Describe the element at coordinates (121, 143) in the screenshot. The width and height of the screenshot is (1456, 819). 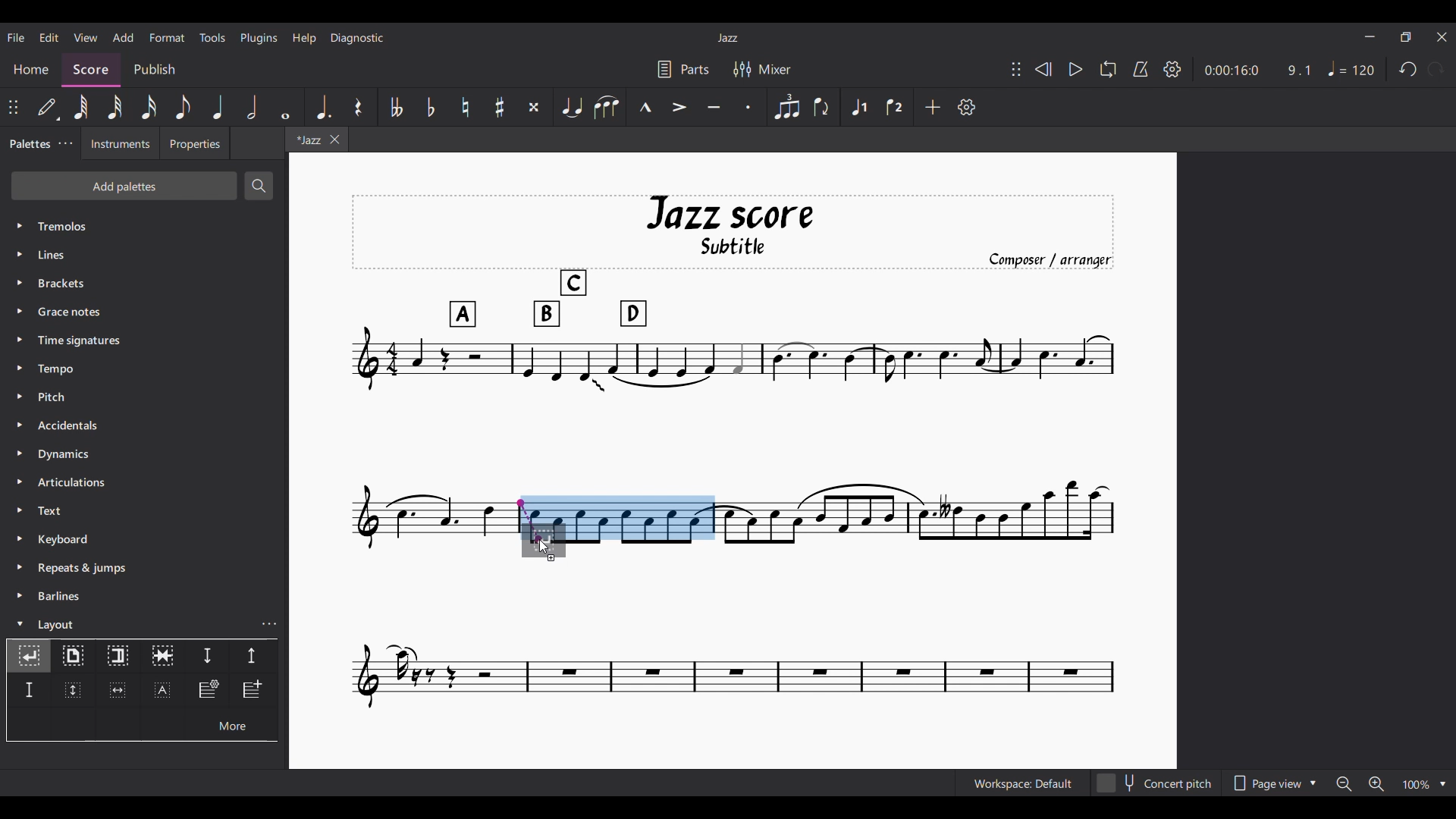
I see `Instruments` at that location.